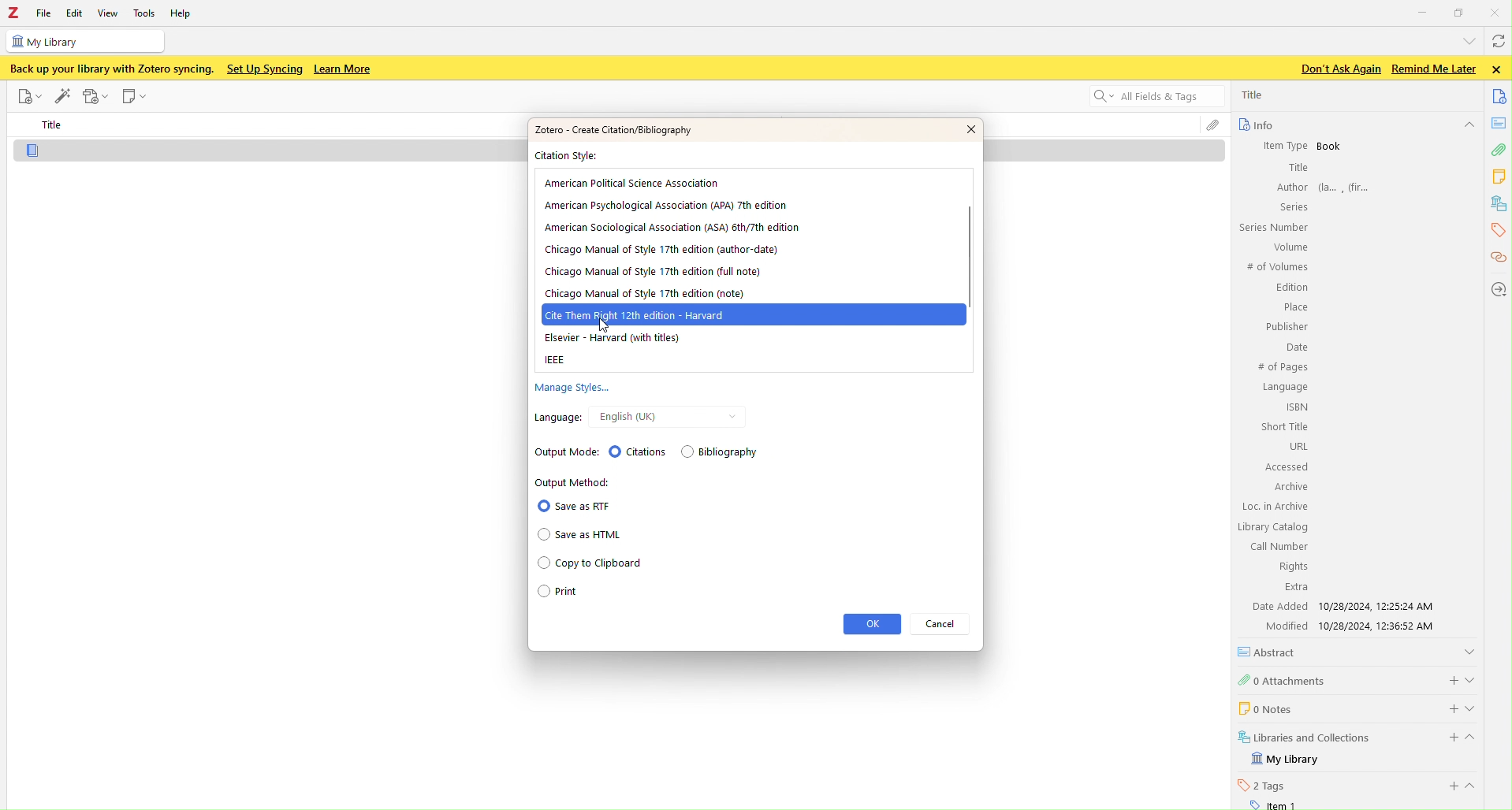  What do you see at coordinates (1290, 566) in the screenshot?
I see `Rights` at bounding box center [1290, 566].